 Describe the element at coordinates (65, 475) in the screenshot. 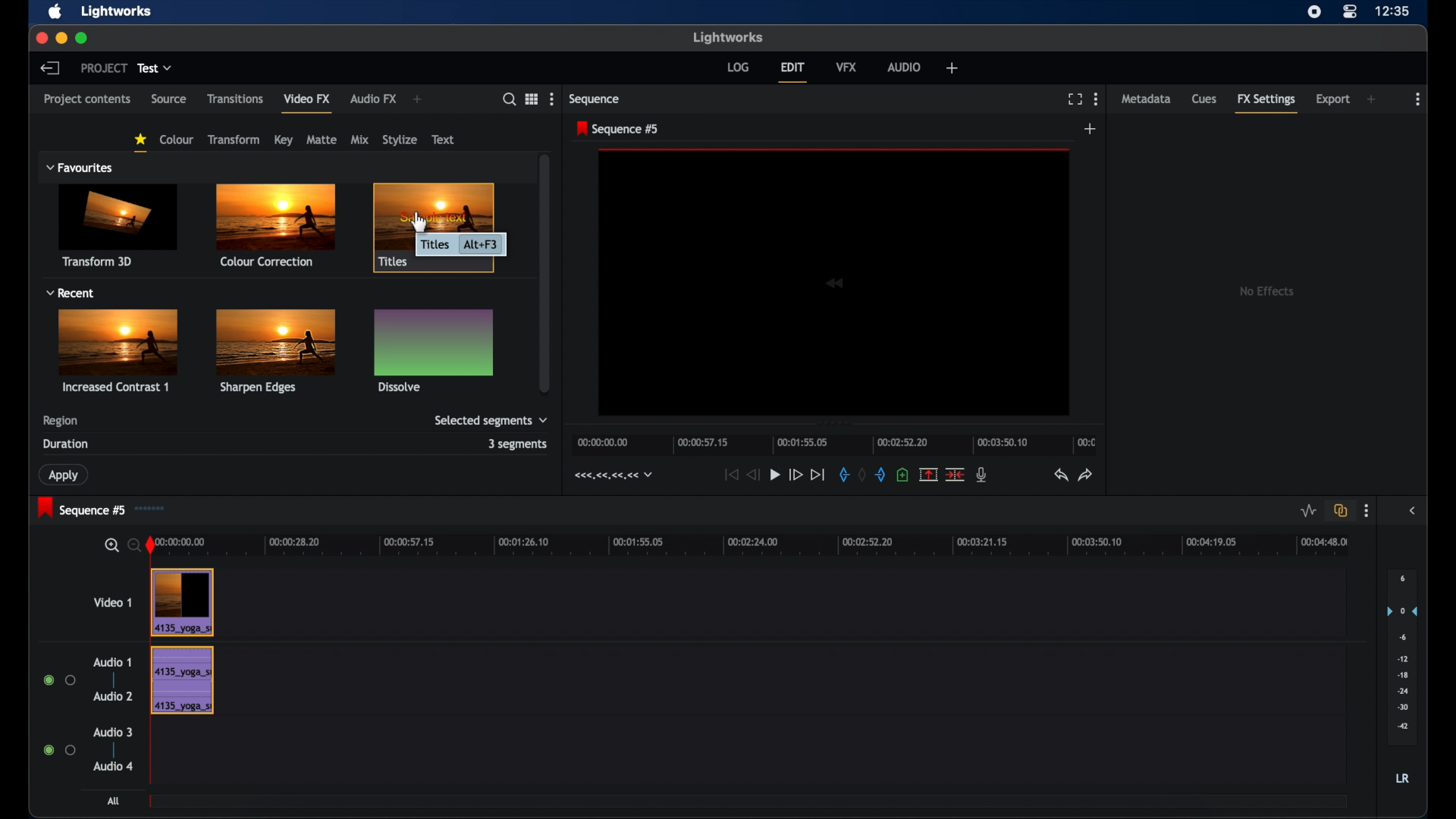

I see `apply` at that location.